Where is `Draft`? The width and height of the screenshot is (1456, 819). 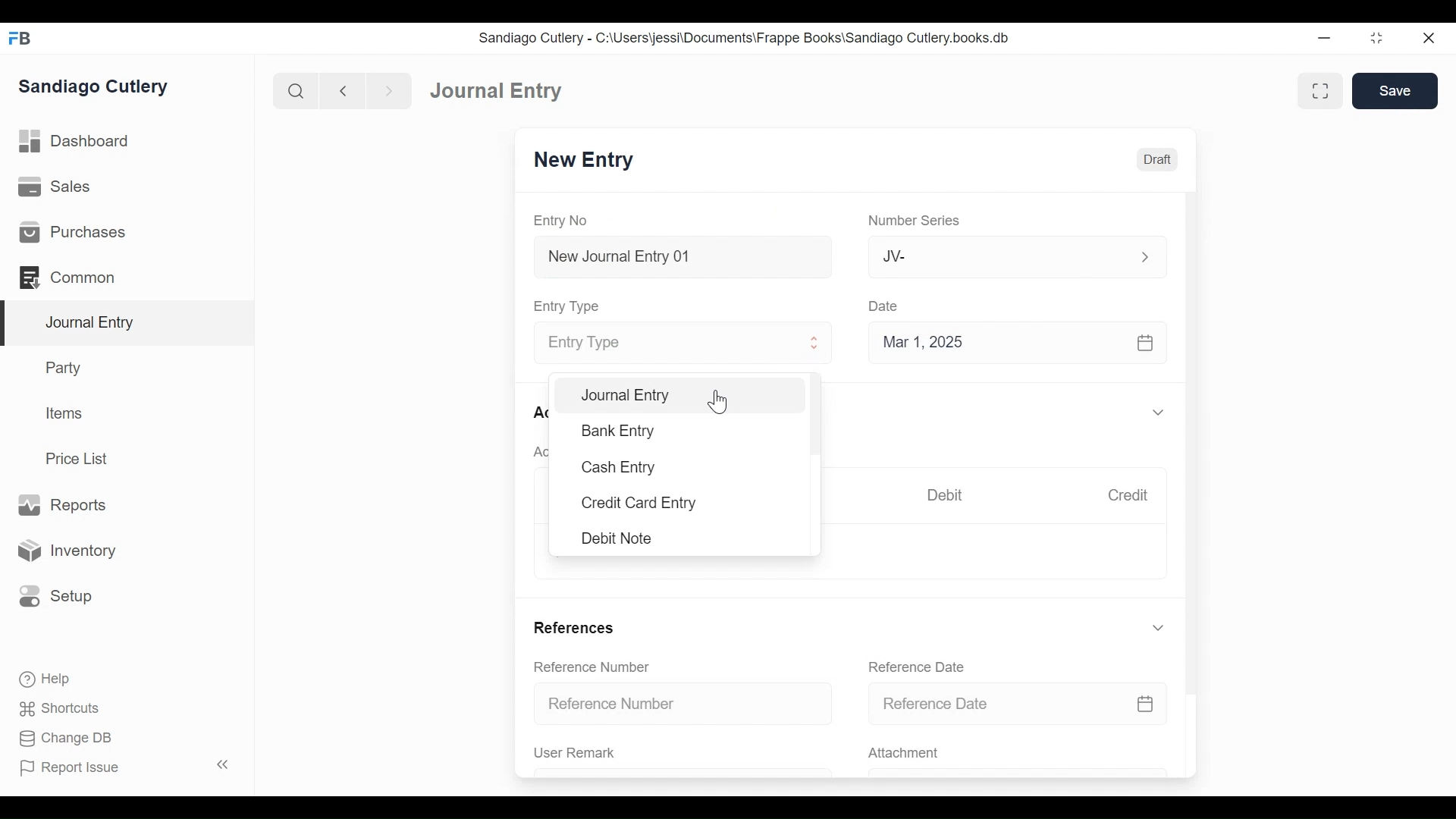
Draft is located at coordinates (1155, 159).